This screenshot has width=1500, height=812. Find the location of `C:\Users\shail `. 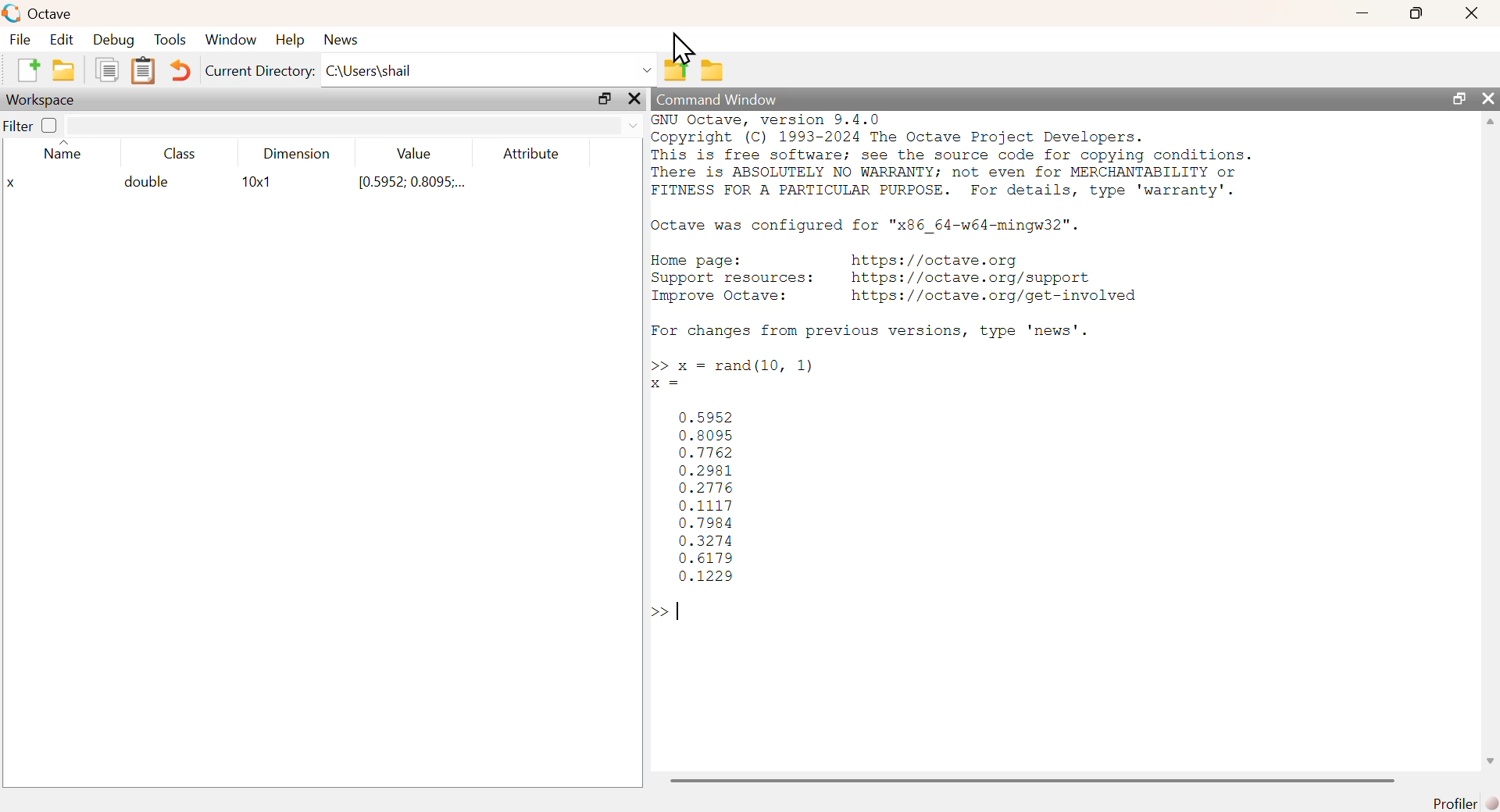

C:\Users\shail  is located at coordinates (489, 66).